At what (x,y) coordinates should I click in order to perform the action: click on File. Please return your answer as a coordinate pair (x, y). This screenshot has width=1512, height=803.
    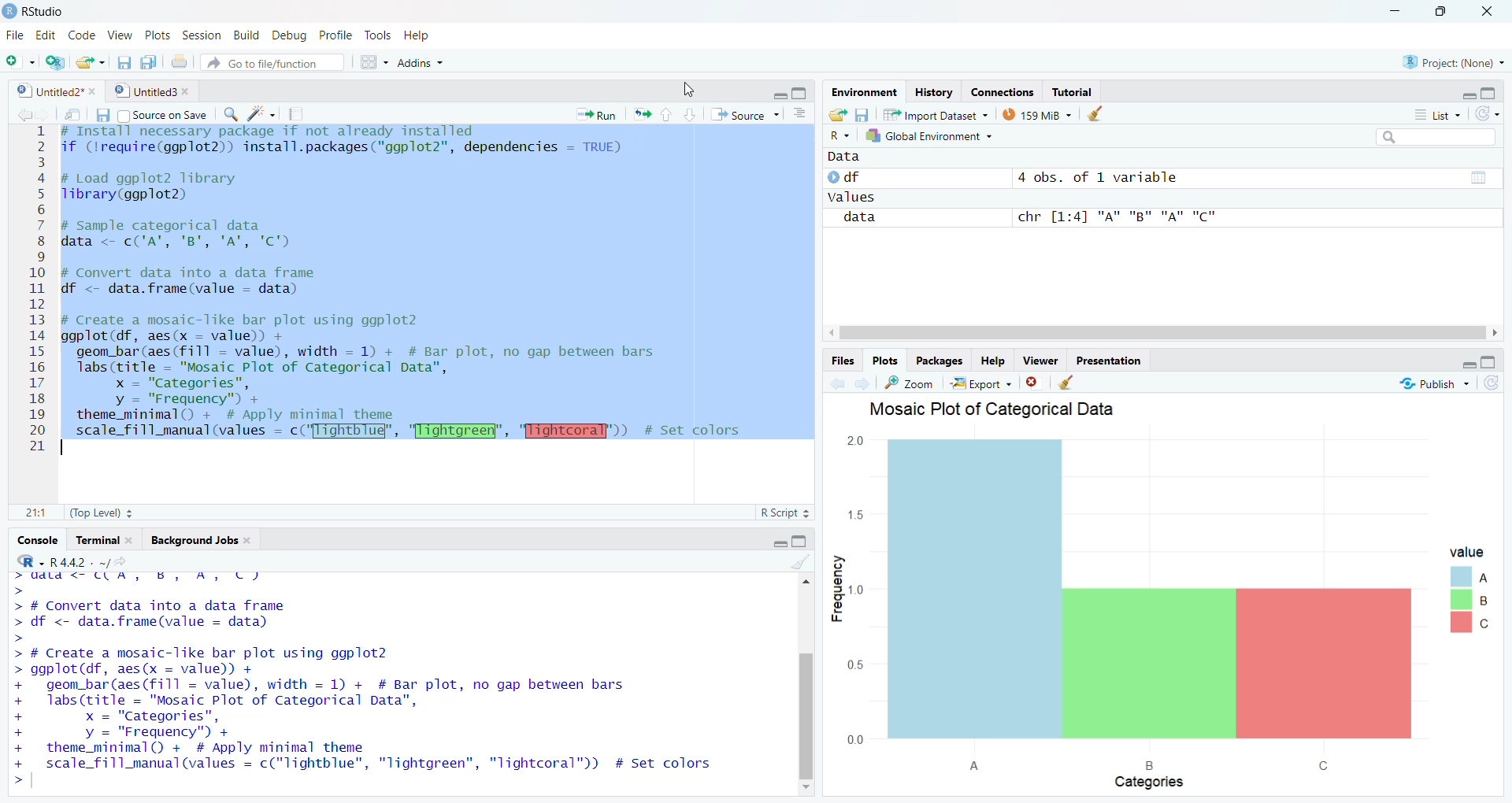
    Looking at the image, I should click on (13, 35).